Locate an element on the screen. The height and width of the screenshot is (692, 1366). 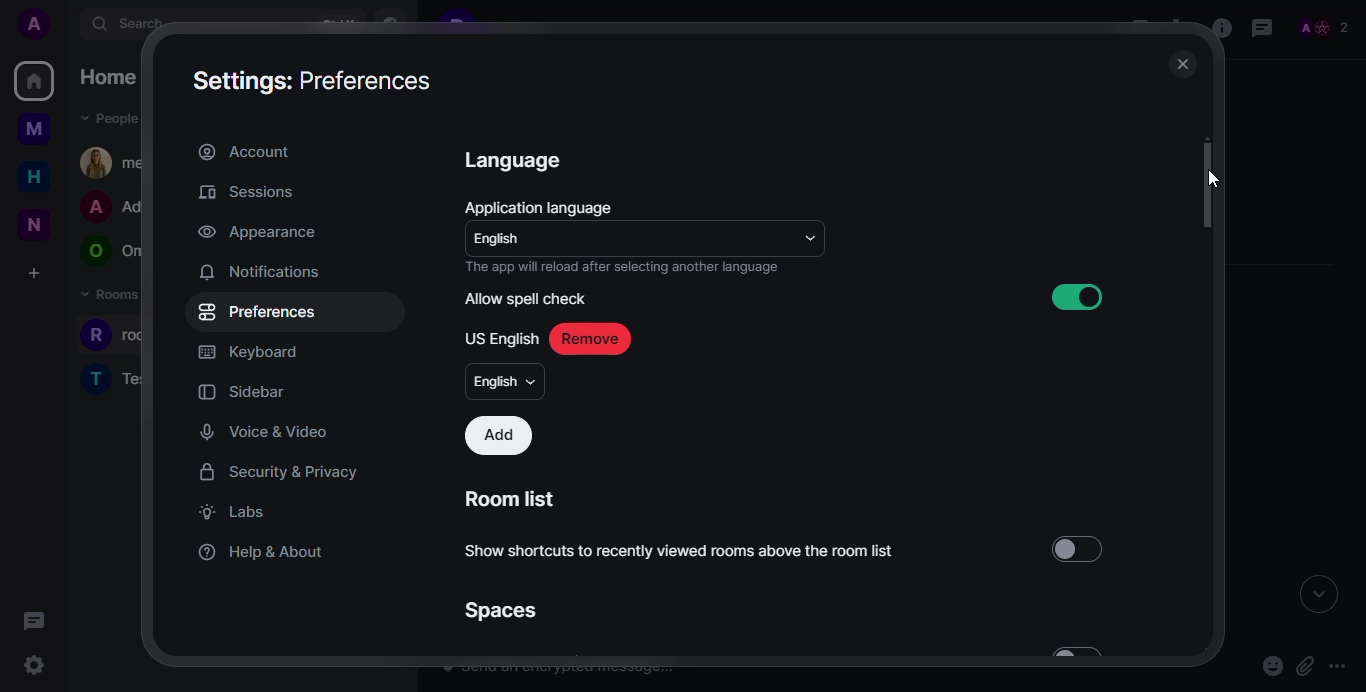
application language is located at coordinates (542, 206).